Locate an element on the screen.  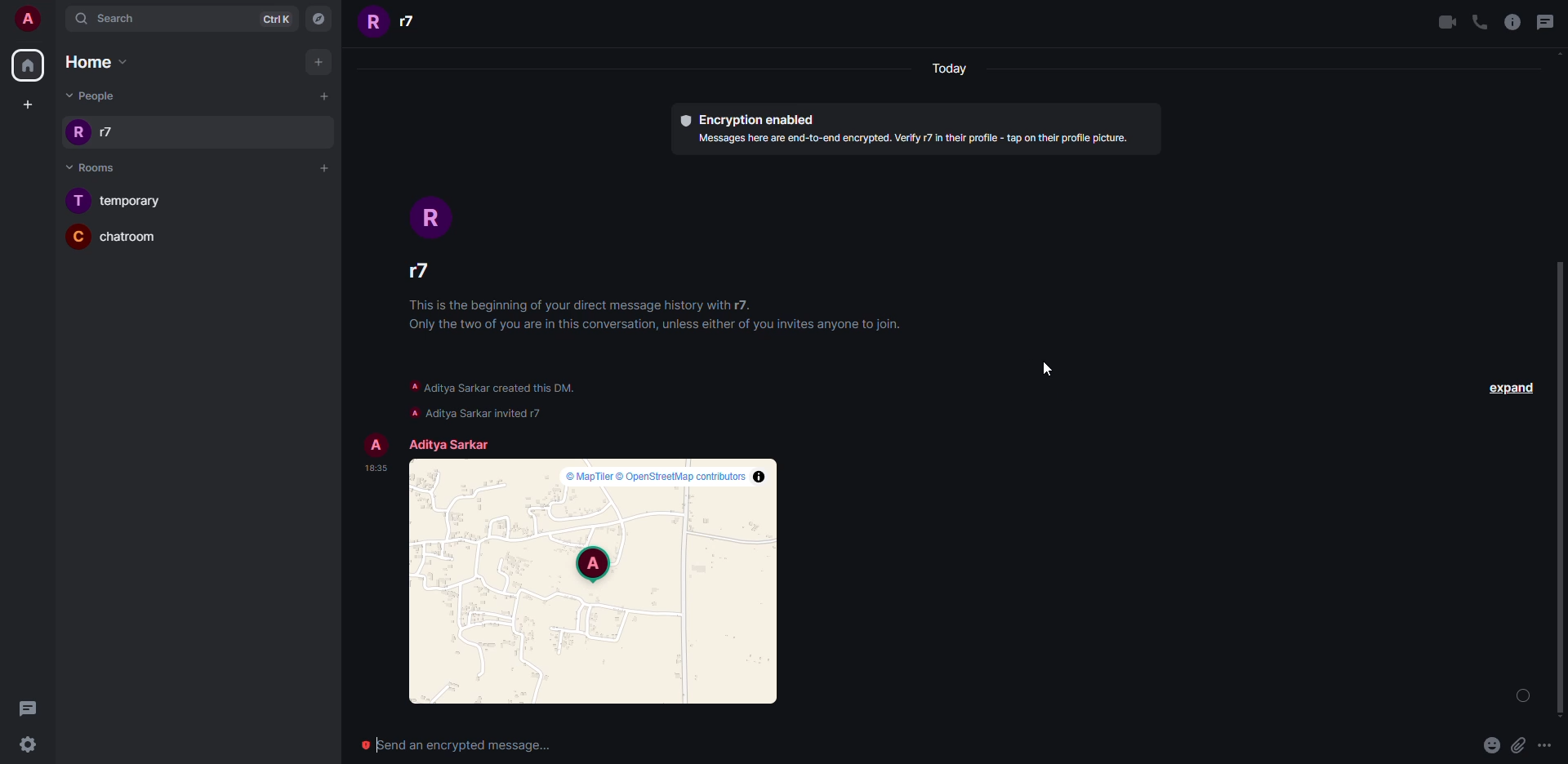
time is located at coordinates (375, 468).